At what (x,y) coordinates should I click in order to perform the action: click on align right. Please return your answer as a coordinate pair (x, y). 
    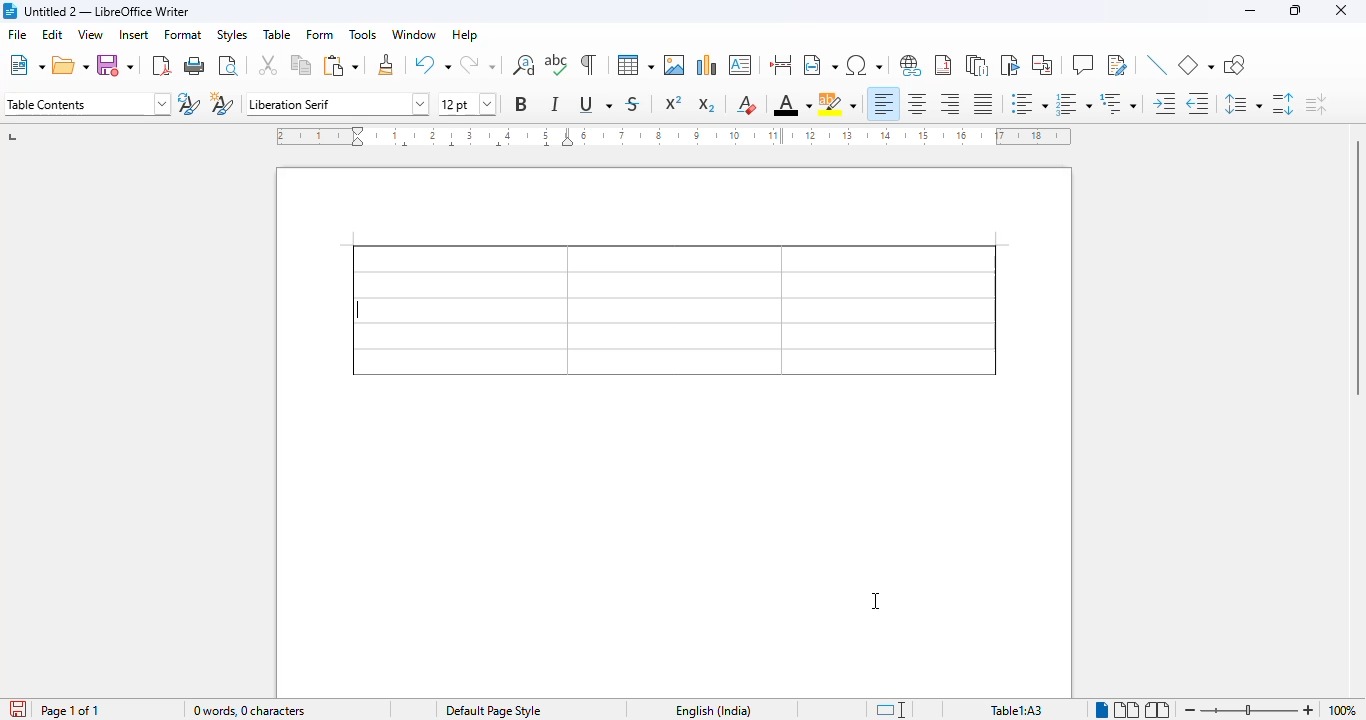
    Looking at the image, I should click on (949, 104).